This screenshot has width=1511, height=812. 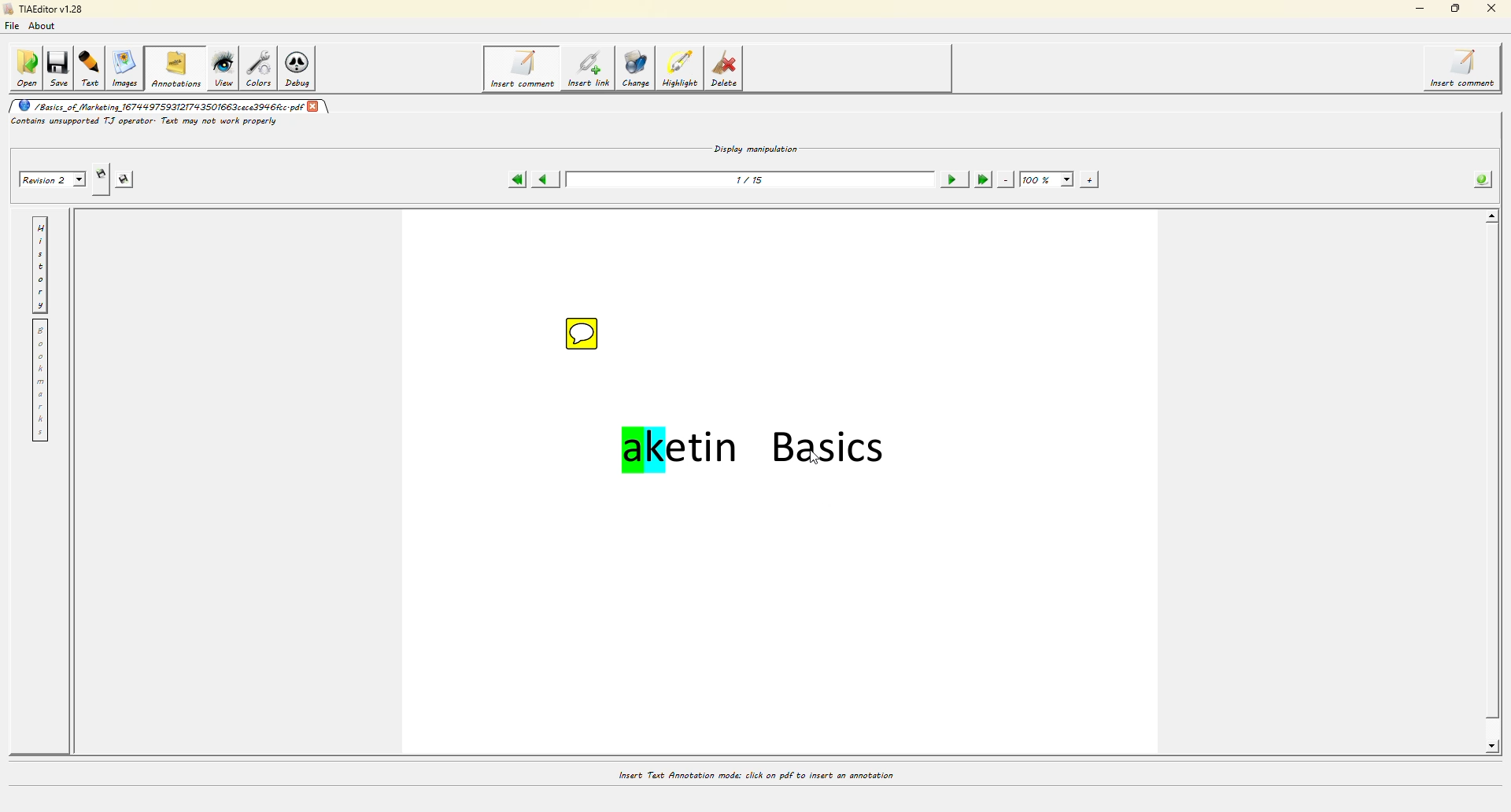 I want to click on insert comment, so click(x=1466, y=68).